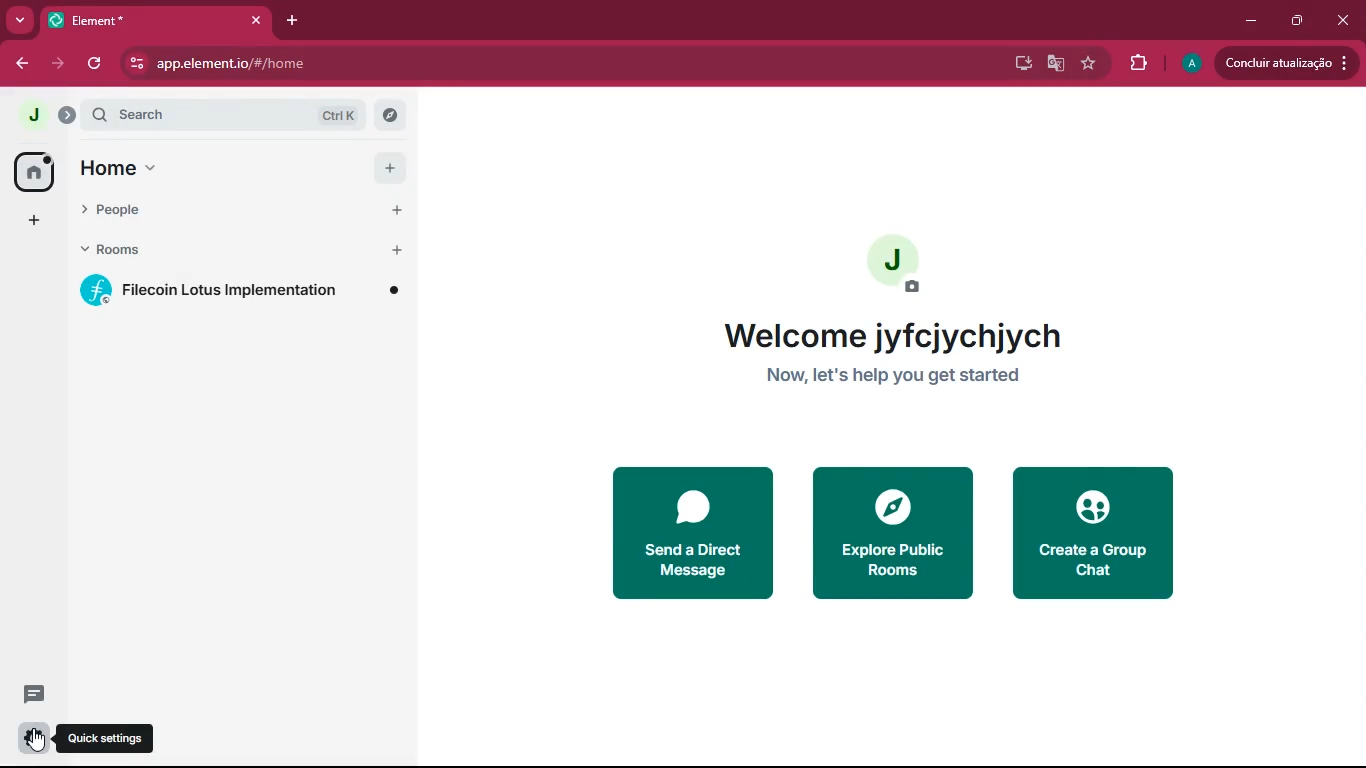 Image resolution: width=1366 pixels, height=768 pixels. What do you see at coordinates (388, 167) in the screenshot?
I see `add` at bounding box center [388, 167].